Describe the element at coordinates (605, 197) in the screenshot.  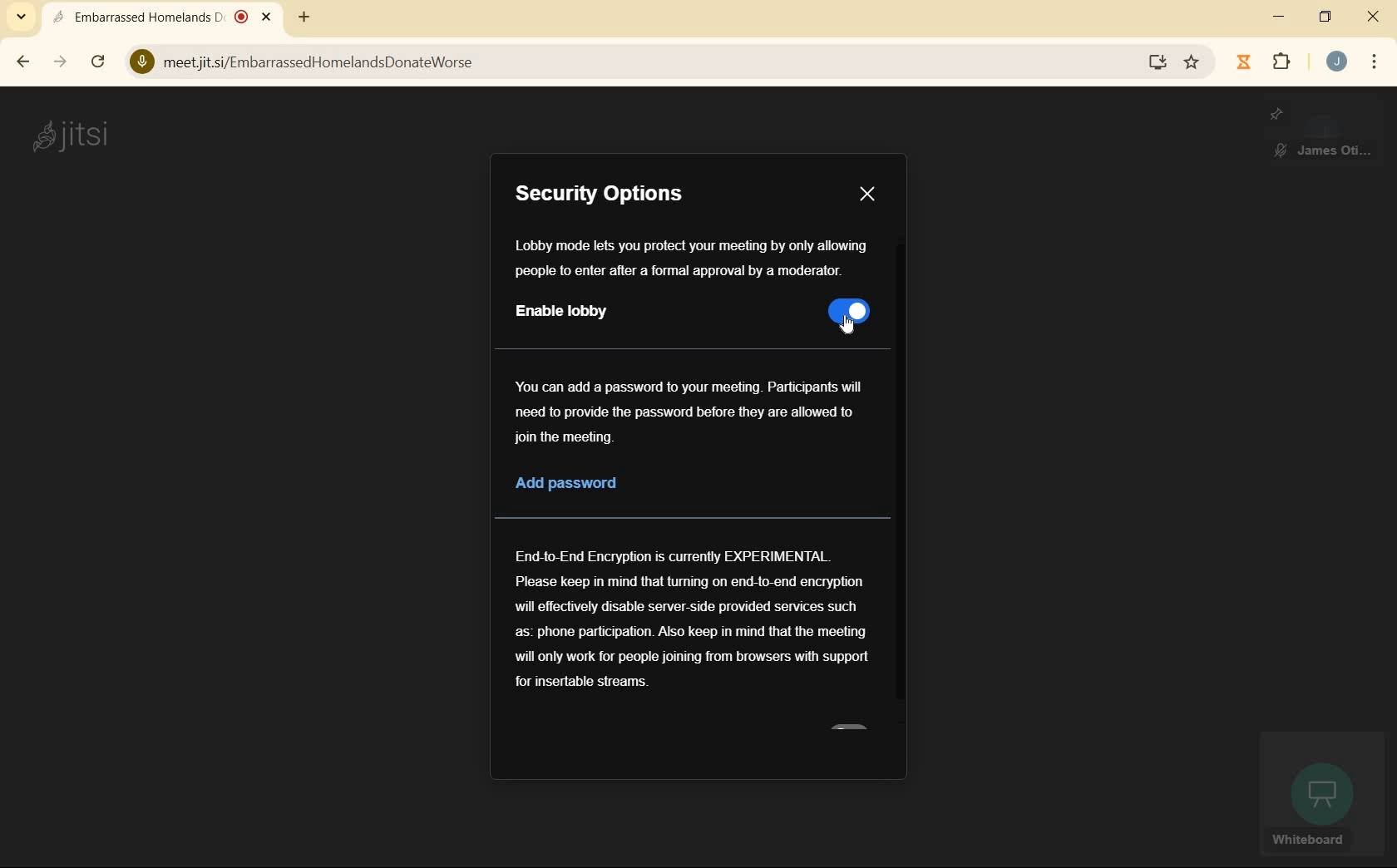
I see `SECURITY OPTIONS` at that location.